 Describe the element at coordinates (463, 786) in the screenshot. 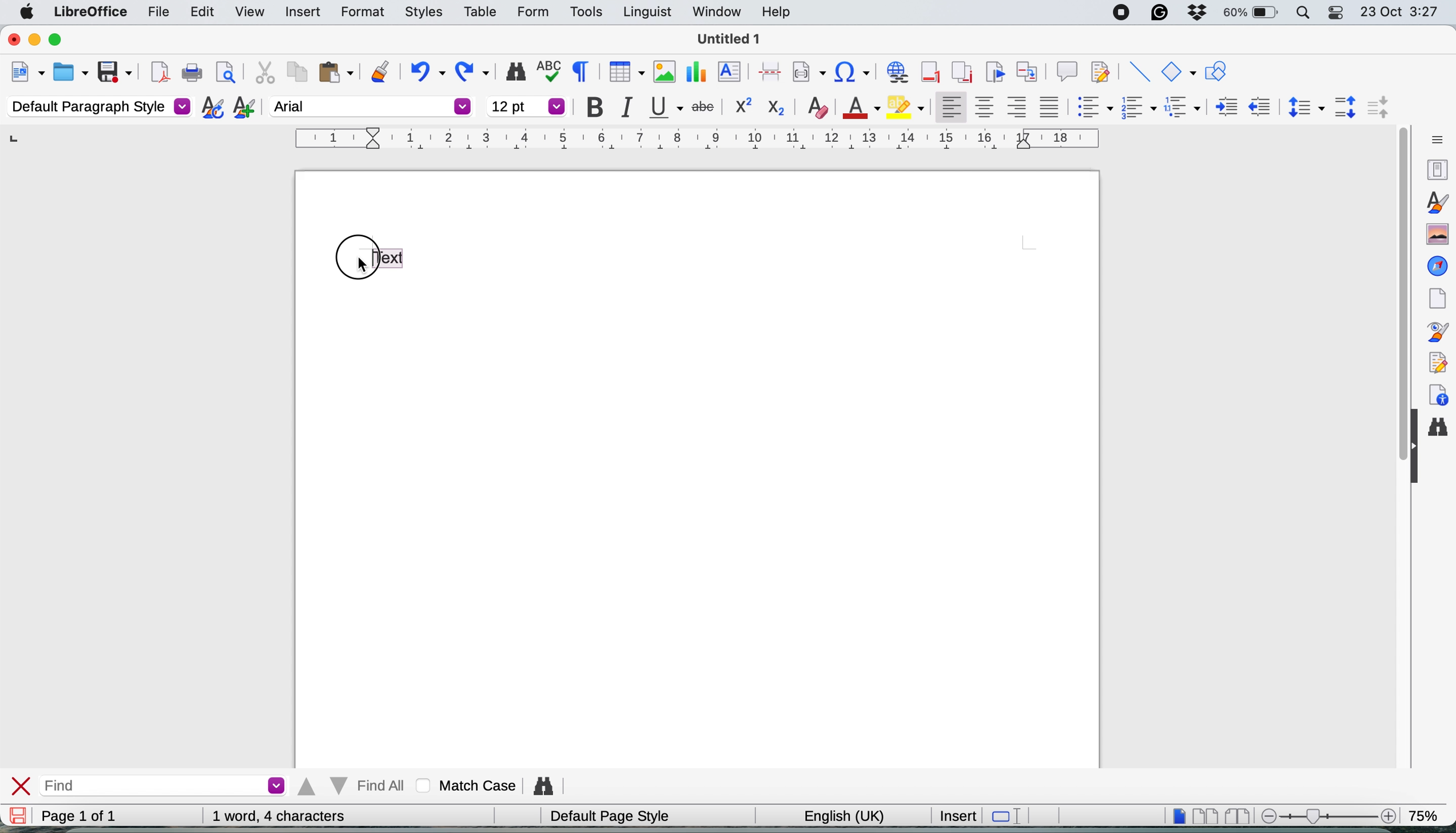

I see `match case` at that location.